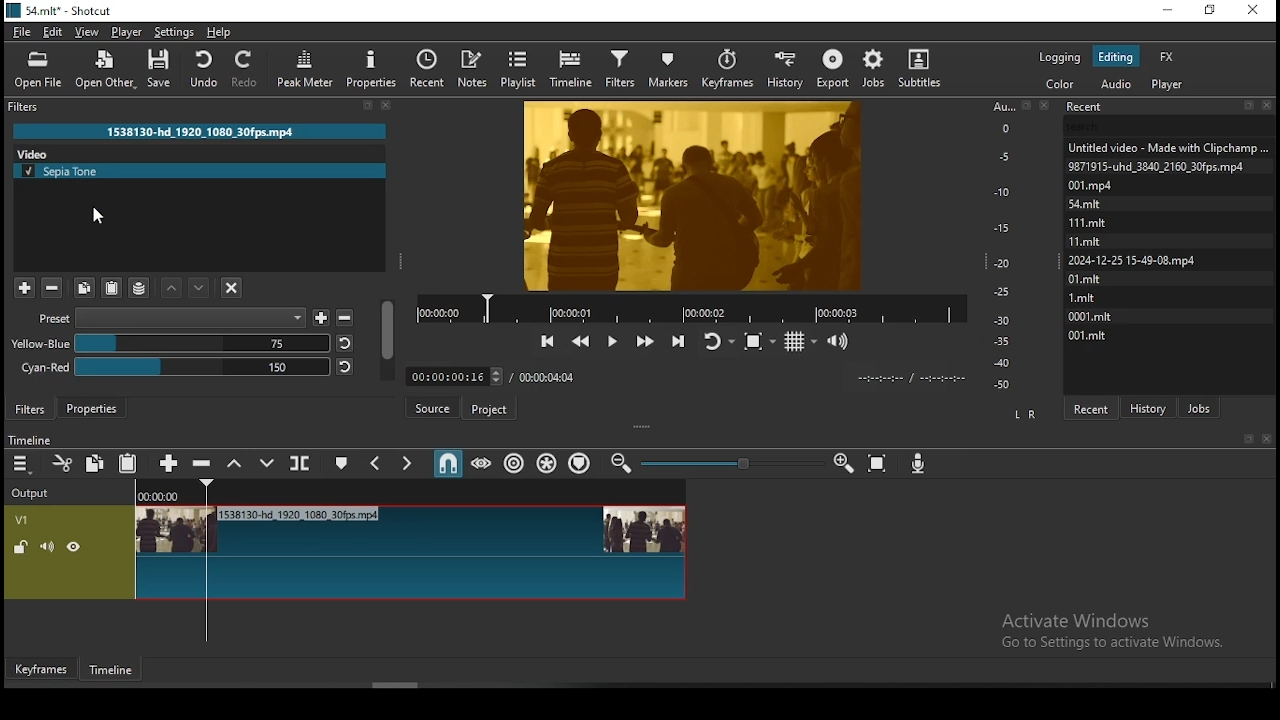 This screenshot has width=1280, height=720. What do you see at coordinates (614, 335) in the screenshot?
I see `play/pause` at bounding box center [614, 335].